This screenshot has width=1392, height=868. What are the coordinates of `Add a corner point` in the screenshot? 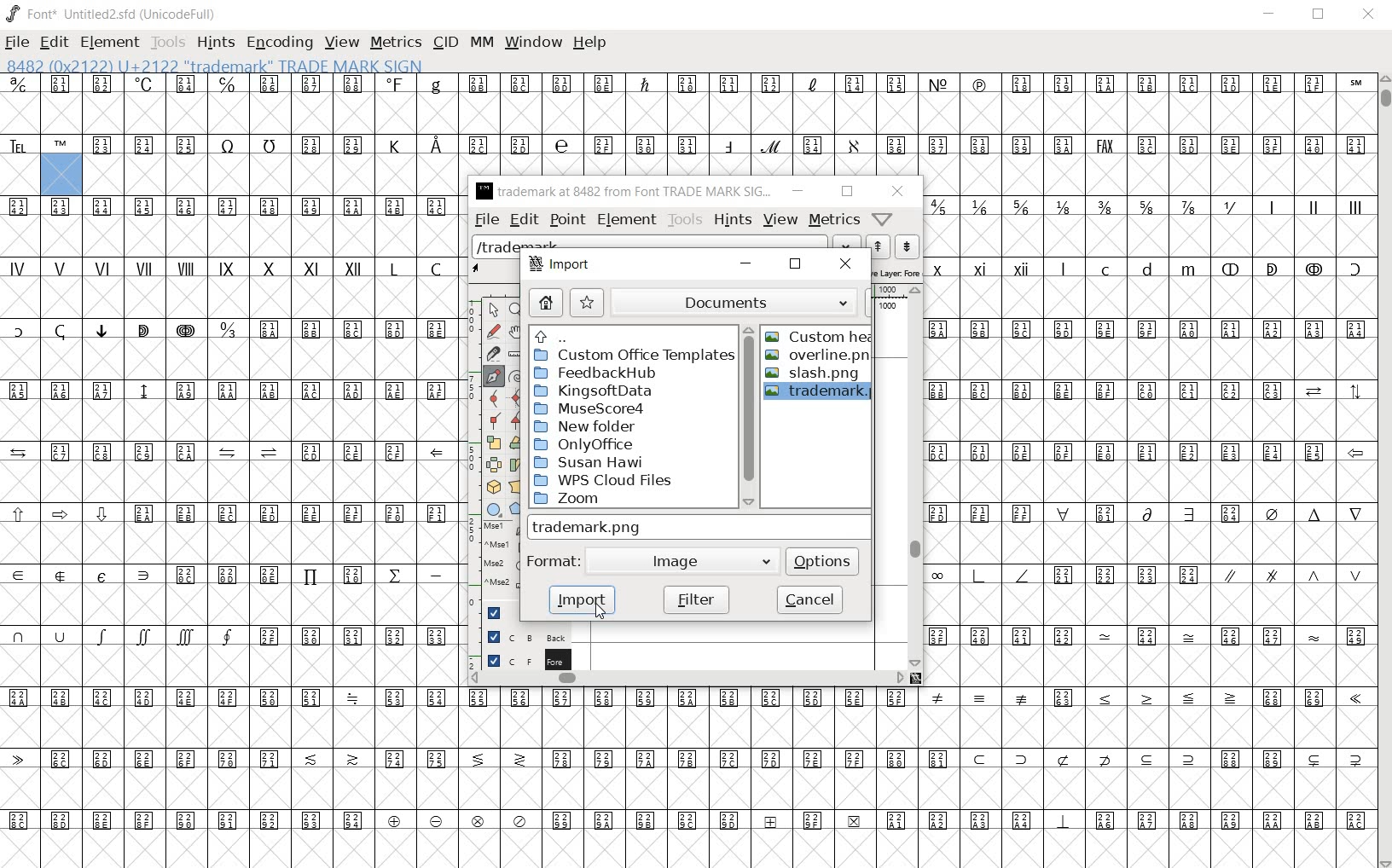 It's located at (493, 420).